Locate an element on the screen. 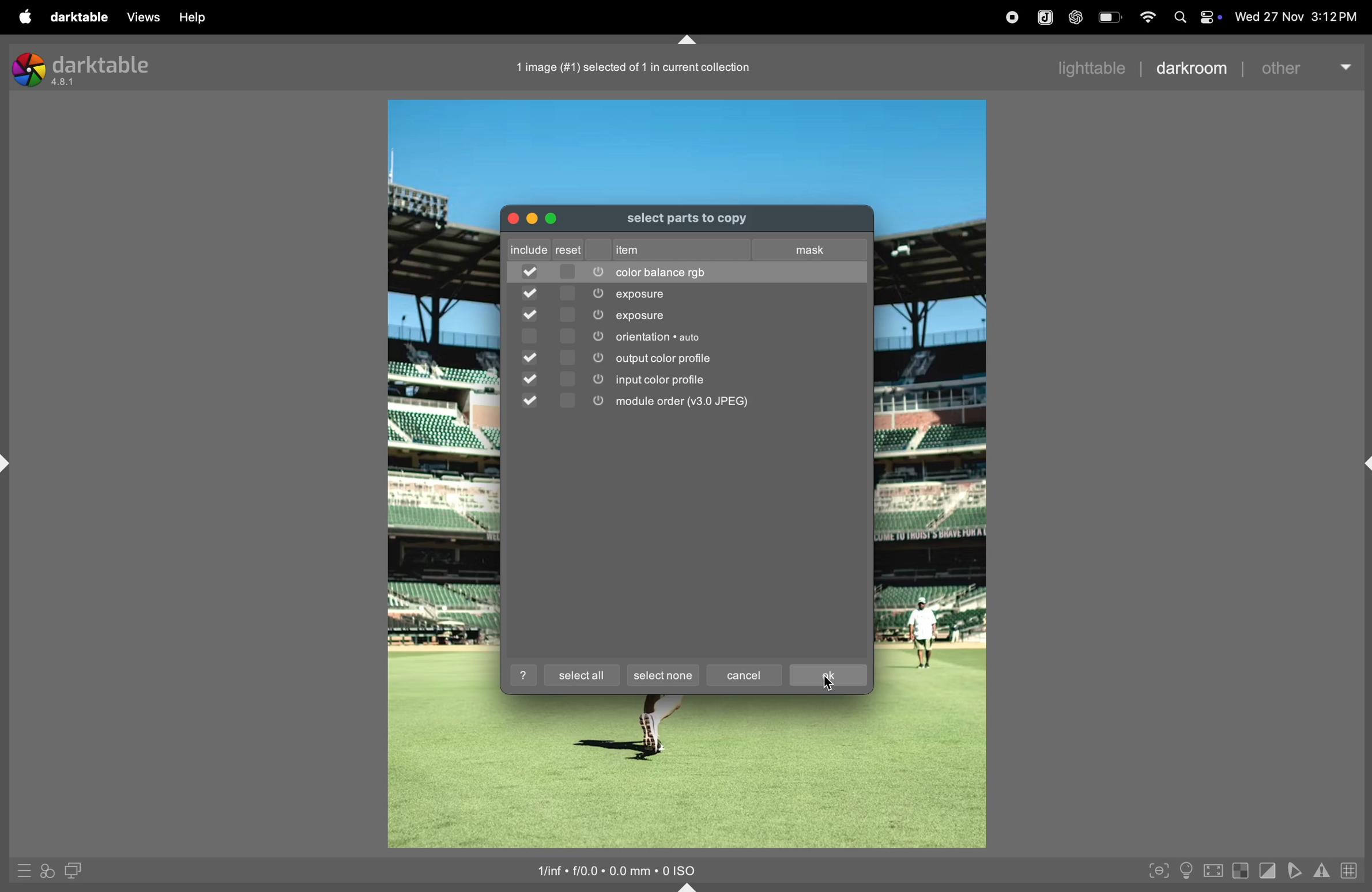 This screenshot has width=1372, height=892. check box is located at coordinates (530, 313).